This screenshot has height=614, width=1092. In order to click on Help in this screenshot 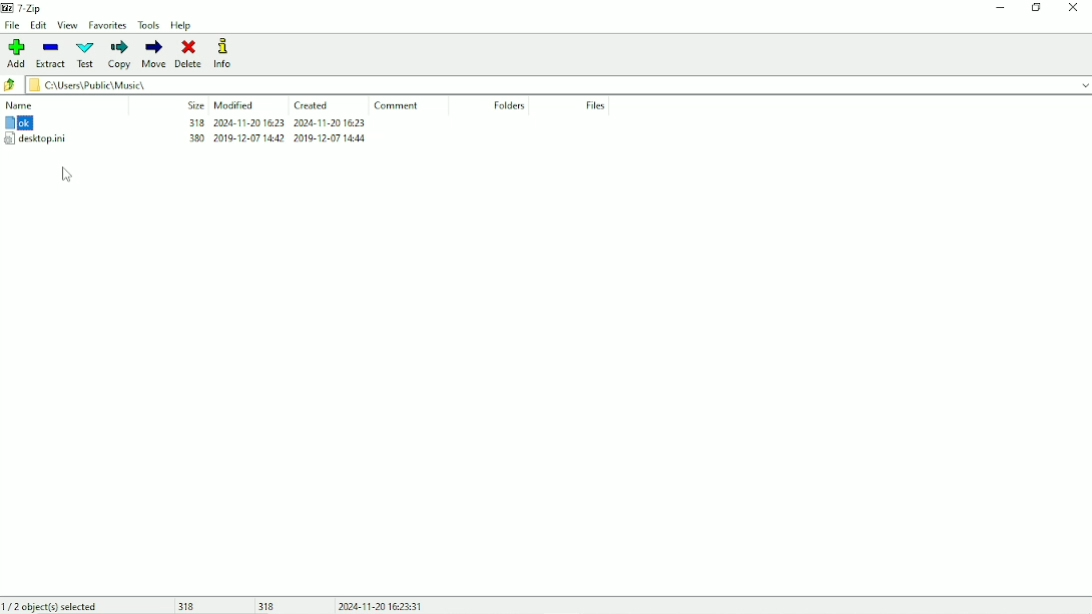, I will do `click(182, 26)`.